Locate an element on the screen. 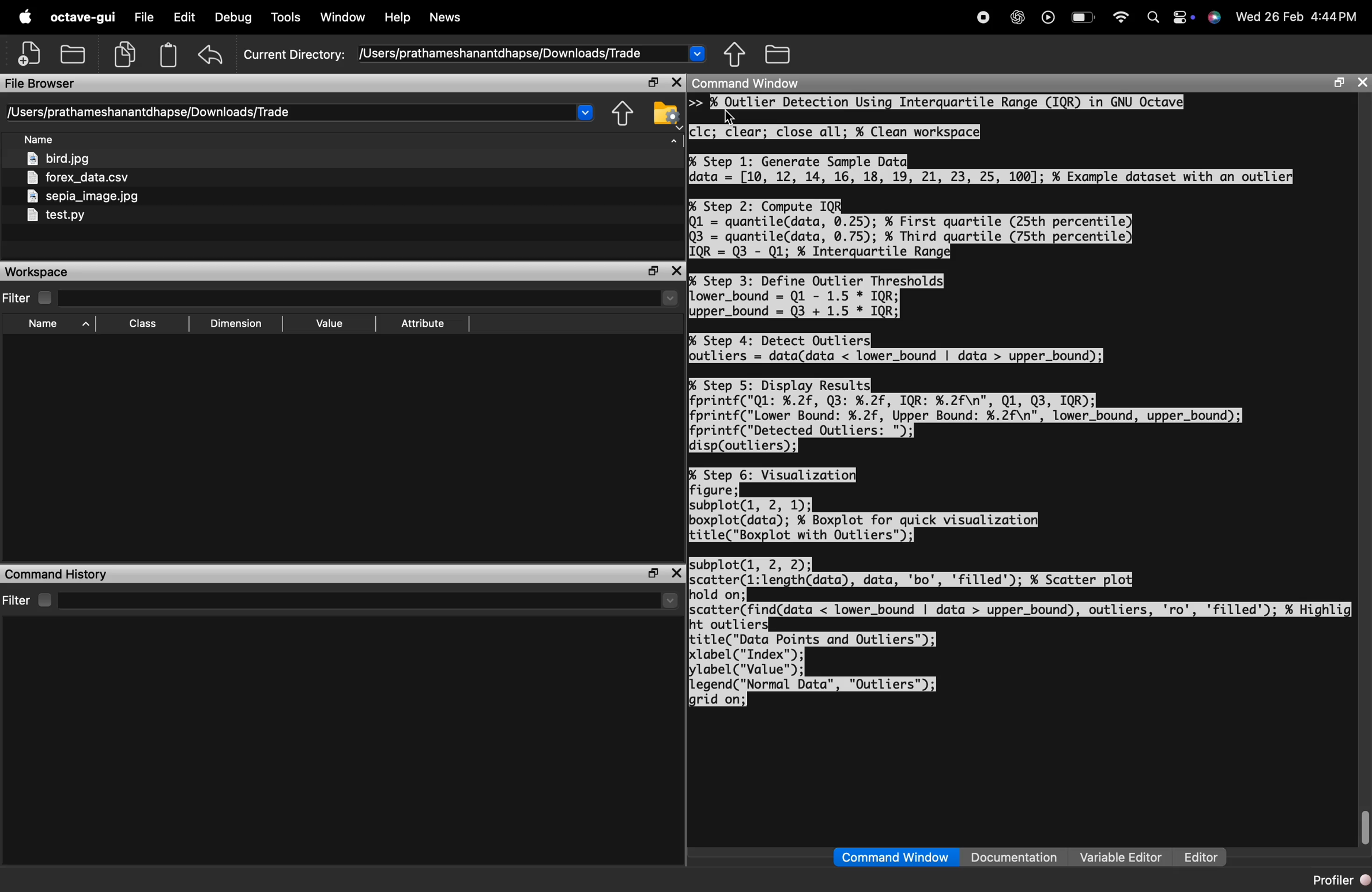  copy is located at coordinates (125, 54).